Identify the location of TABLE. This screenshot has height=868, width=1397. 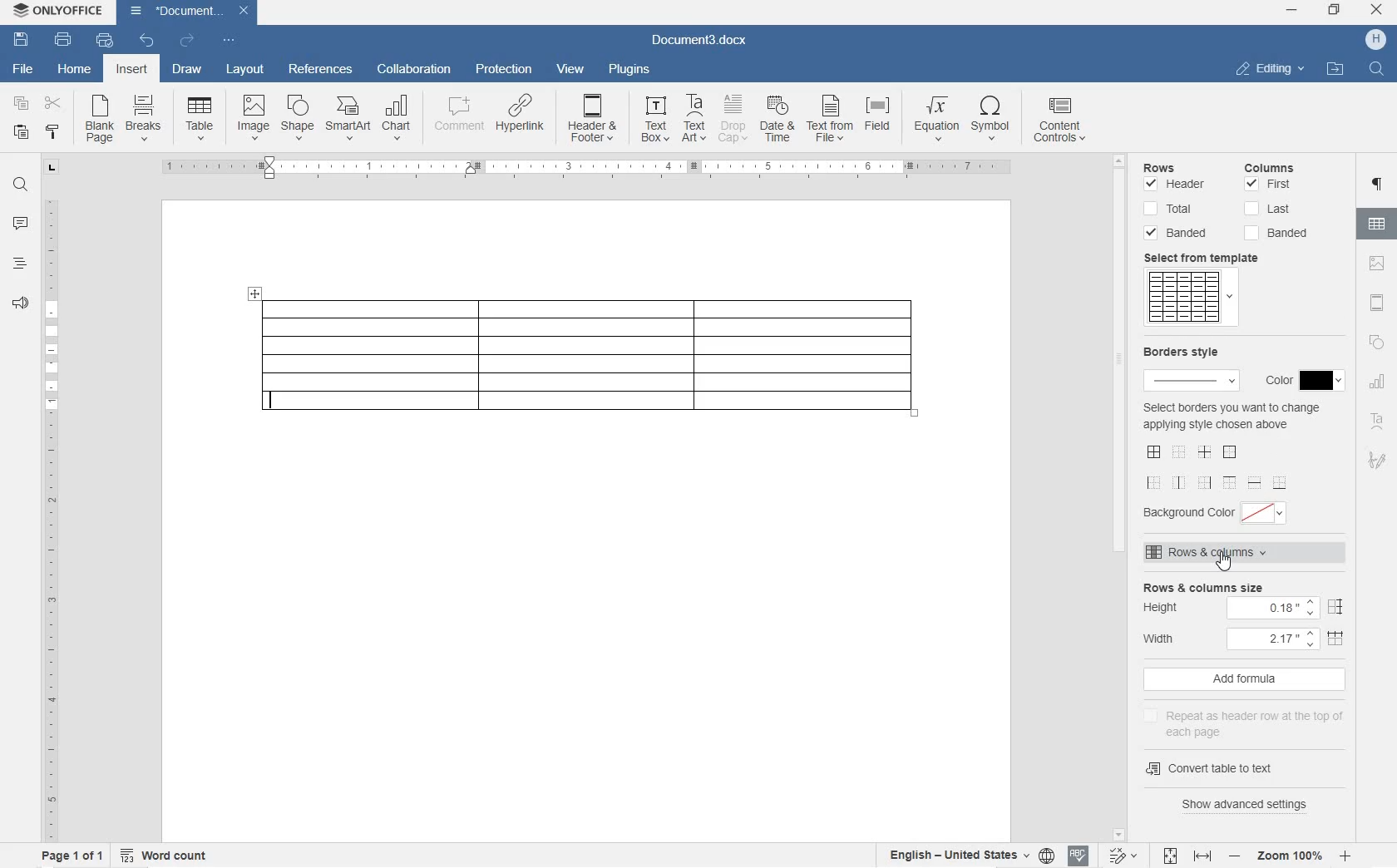
(200, 121).